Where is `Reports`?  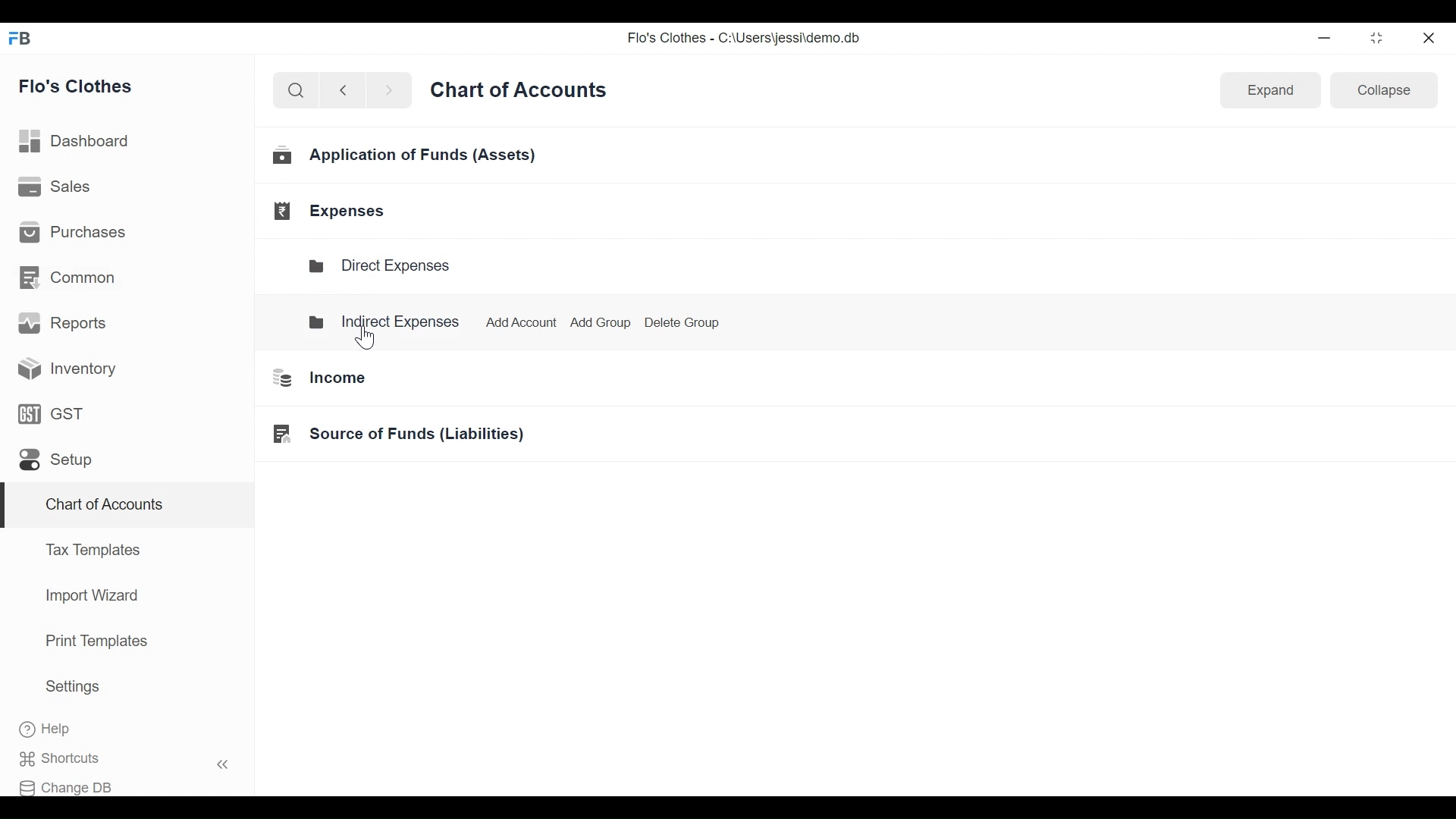 Reports is located at coordinates (65, 326).